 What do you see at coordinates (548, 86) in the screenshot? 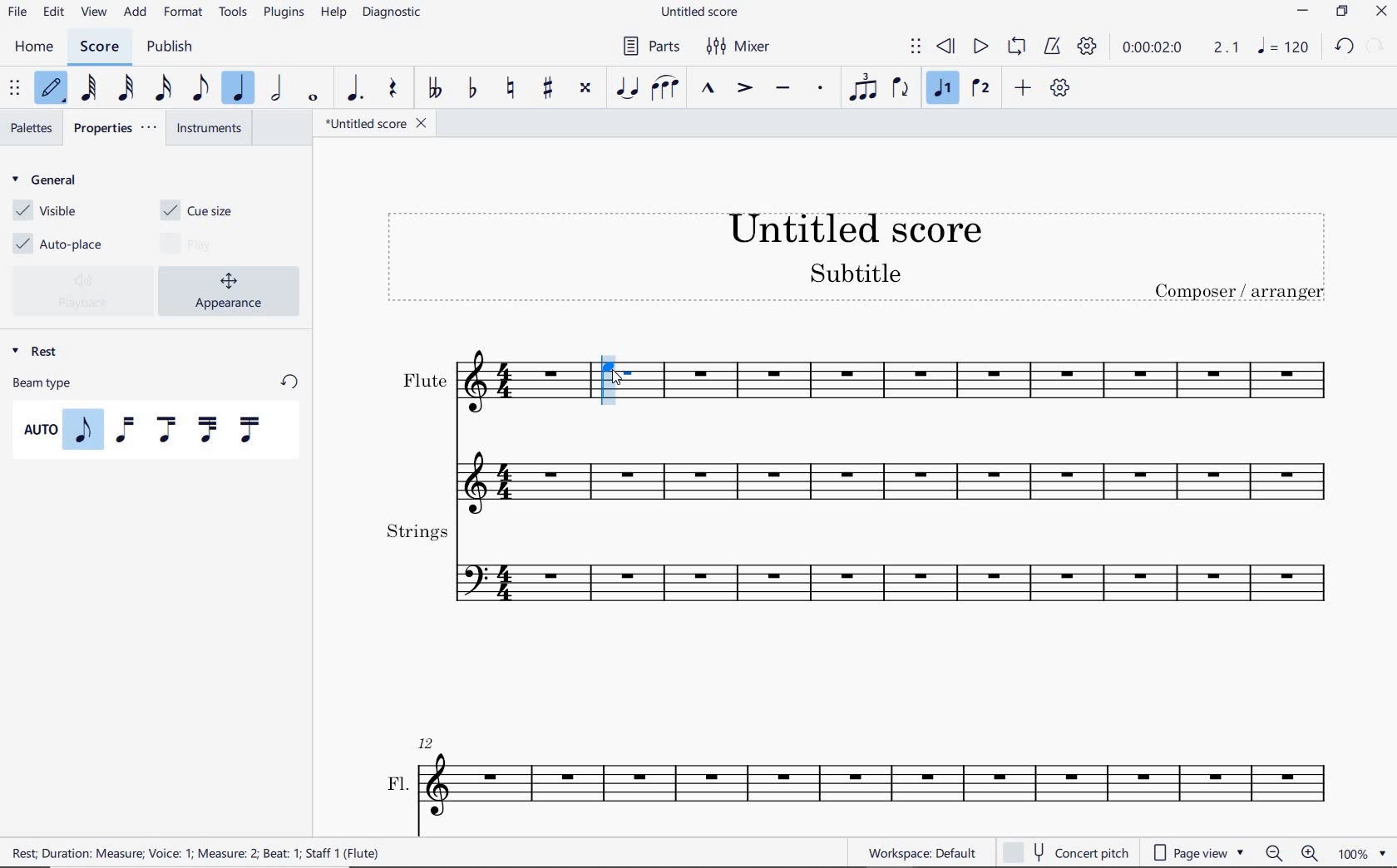
I see `TOGGLE SHARP` at bounding box center [548, 86].